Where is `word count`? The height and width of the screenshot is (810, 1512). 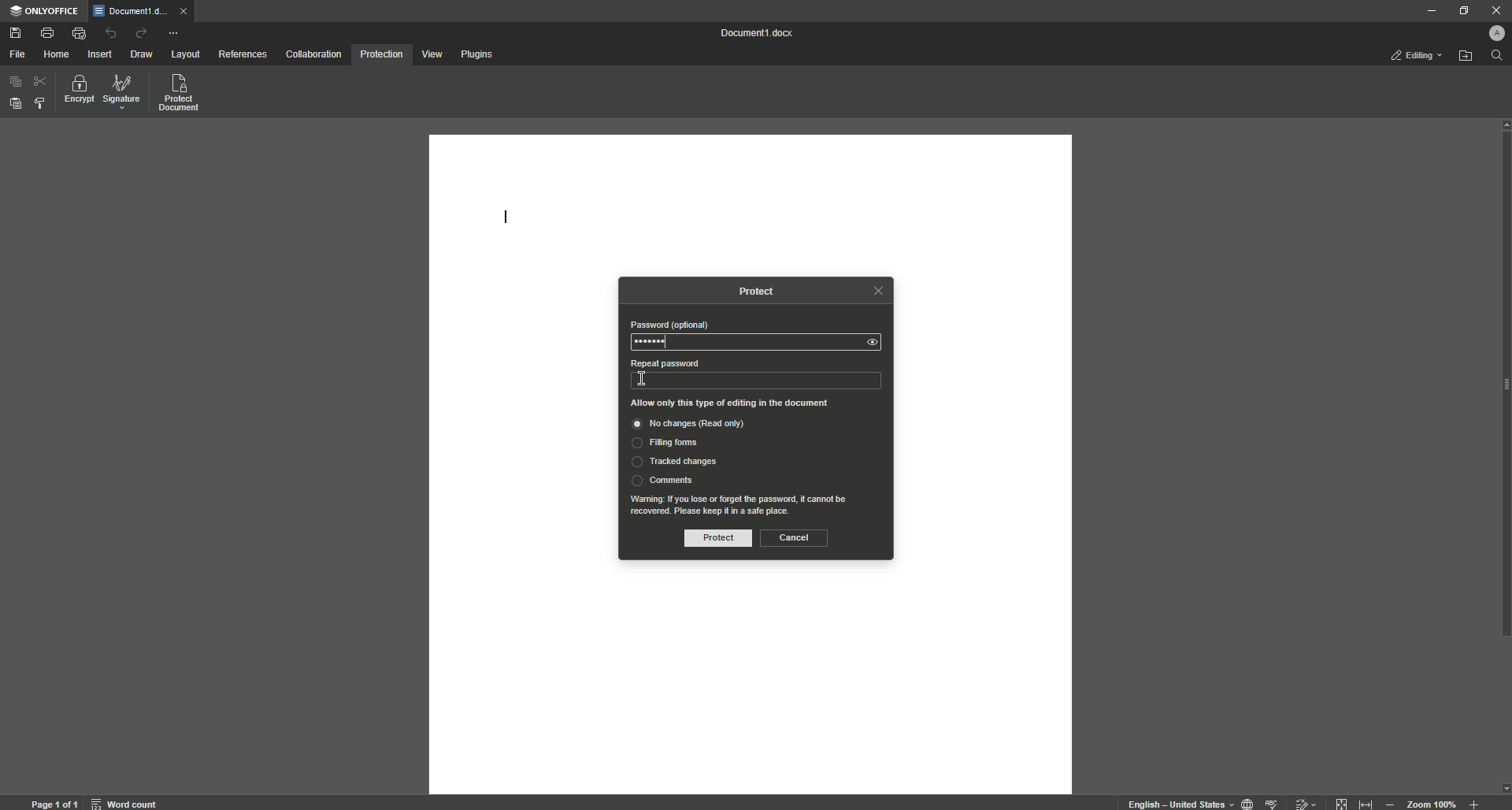
word count is located at coordinates (128, 801).